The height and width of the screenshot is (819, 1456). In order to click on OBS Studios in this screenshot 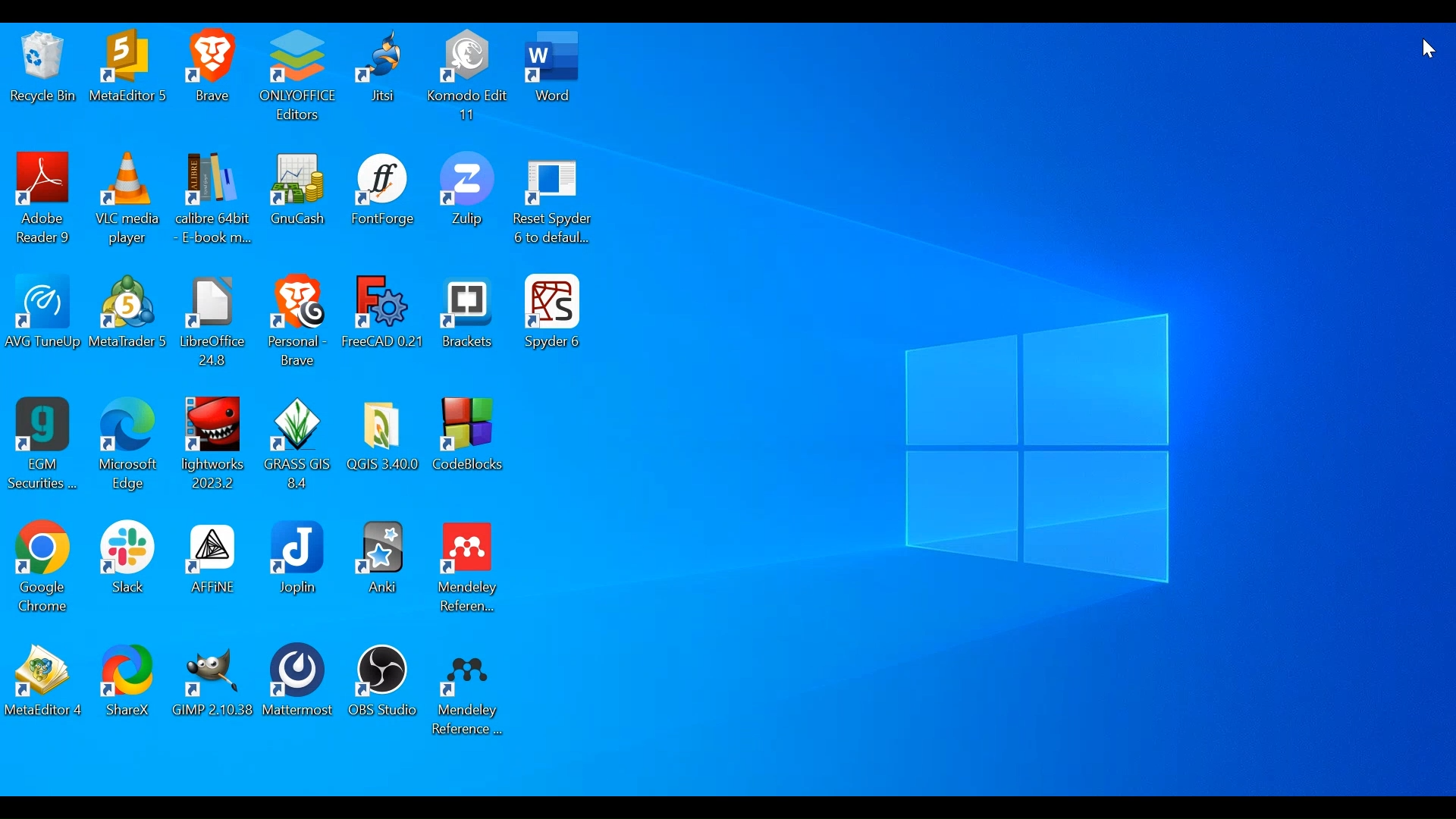, I will do `click(383, 689)`.